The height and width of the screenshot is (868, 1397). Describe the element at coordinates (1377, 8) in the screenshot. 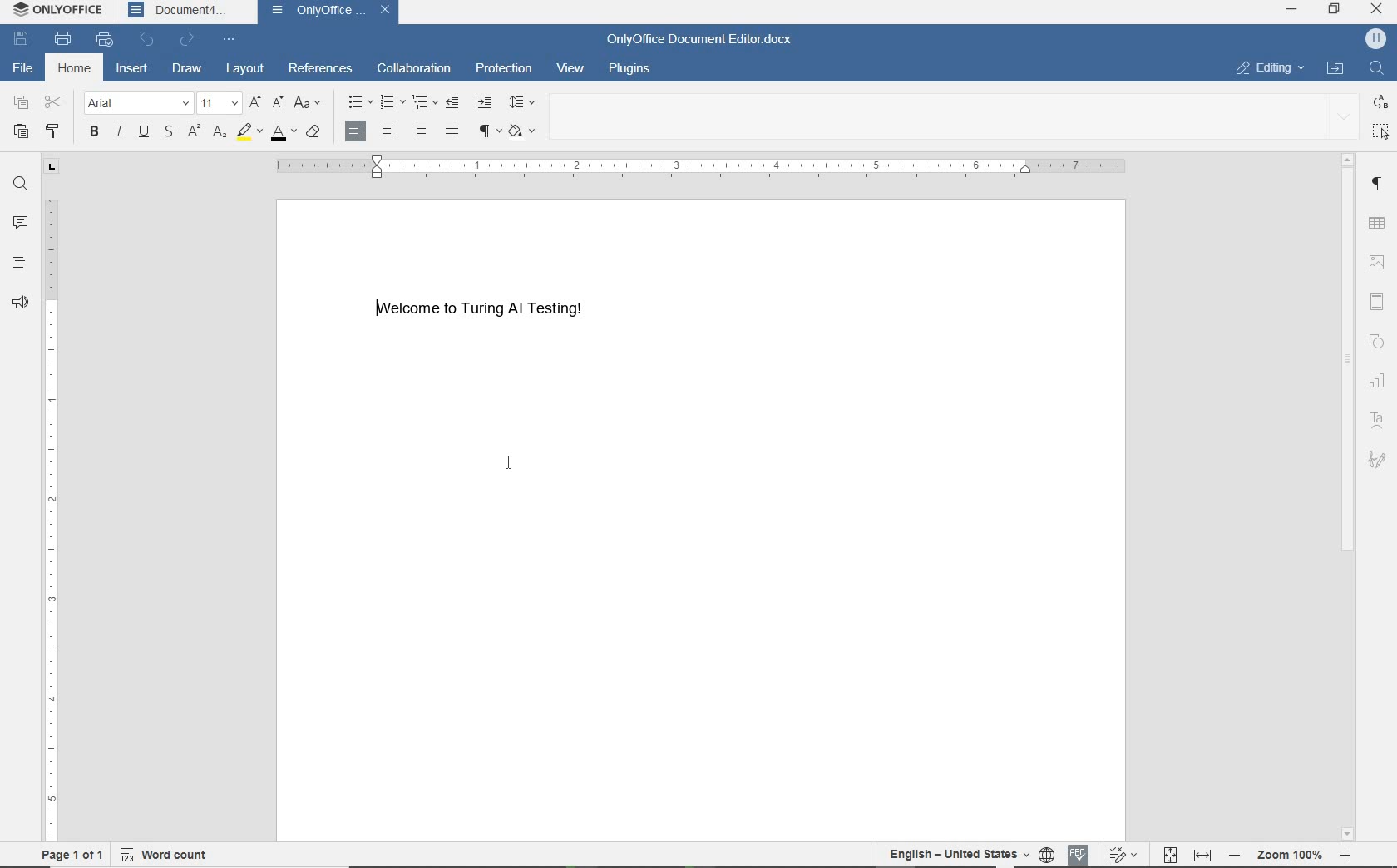

I see `close` at that location.